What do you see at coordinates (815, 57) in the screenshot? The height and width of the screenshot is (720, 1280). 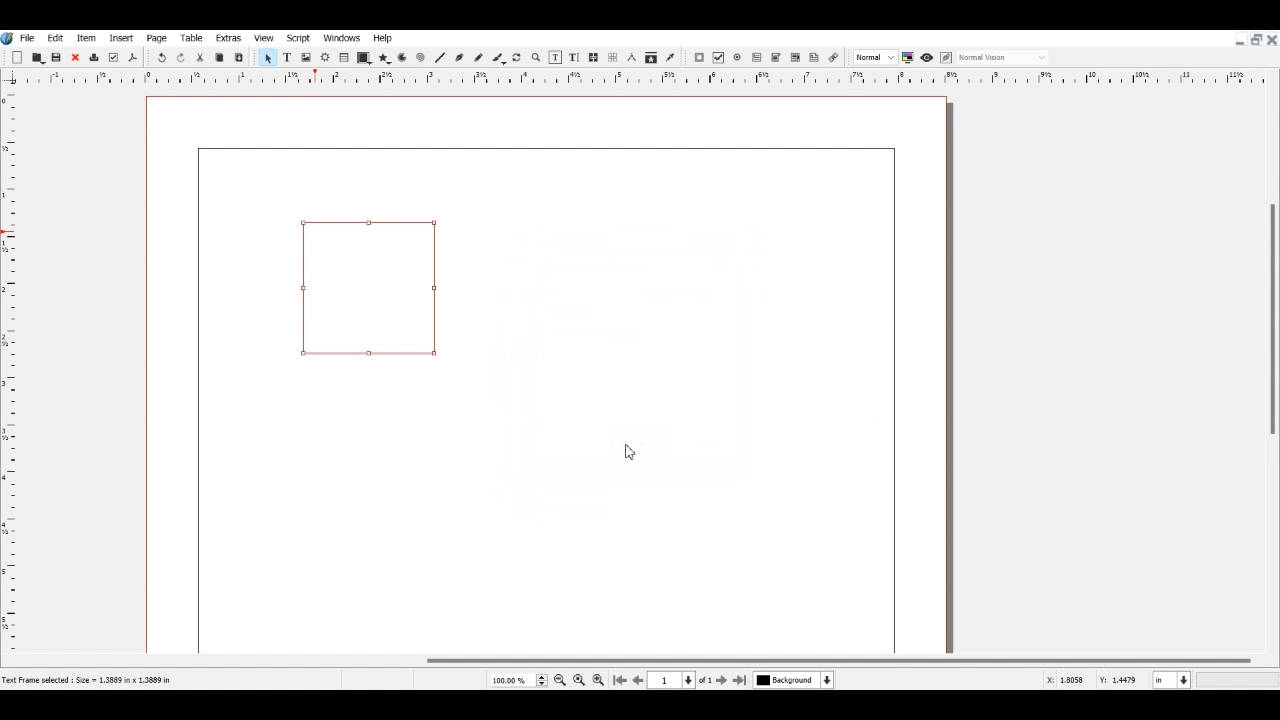 I see `Text Annotation ` at bounding box center [815, 57].